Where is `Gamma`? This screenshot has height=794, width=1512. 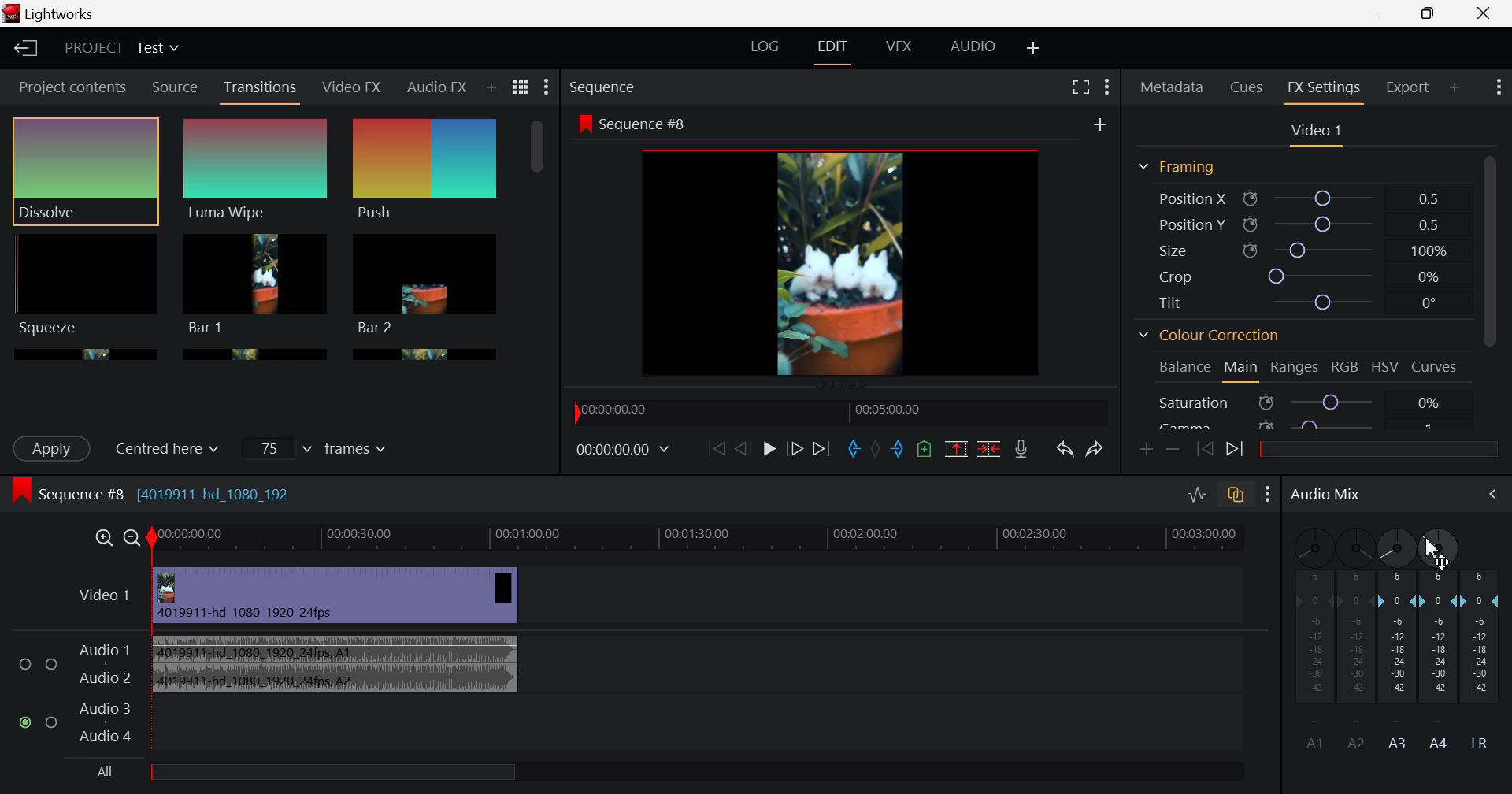
Gamma is located at coordinates (1305, 425).